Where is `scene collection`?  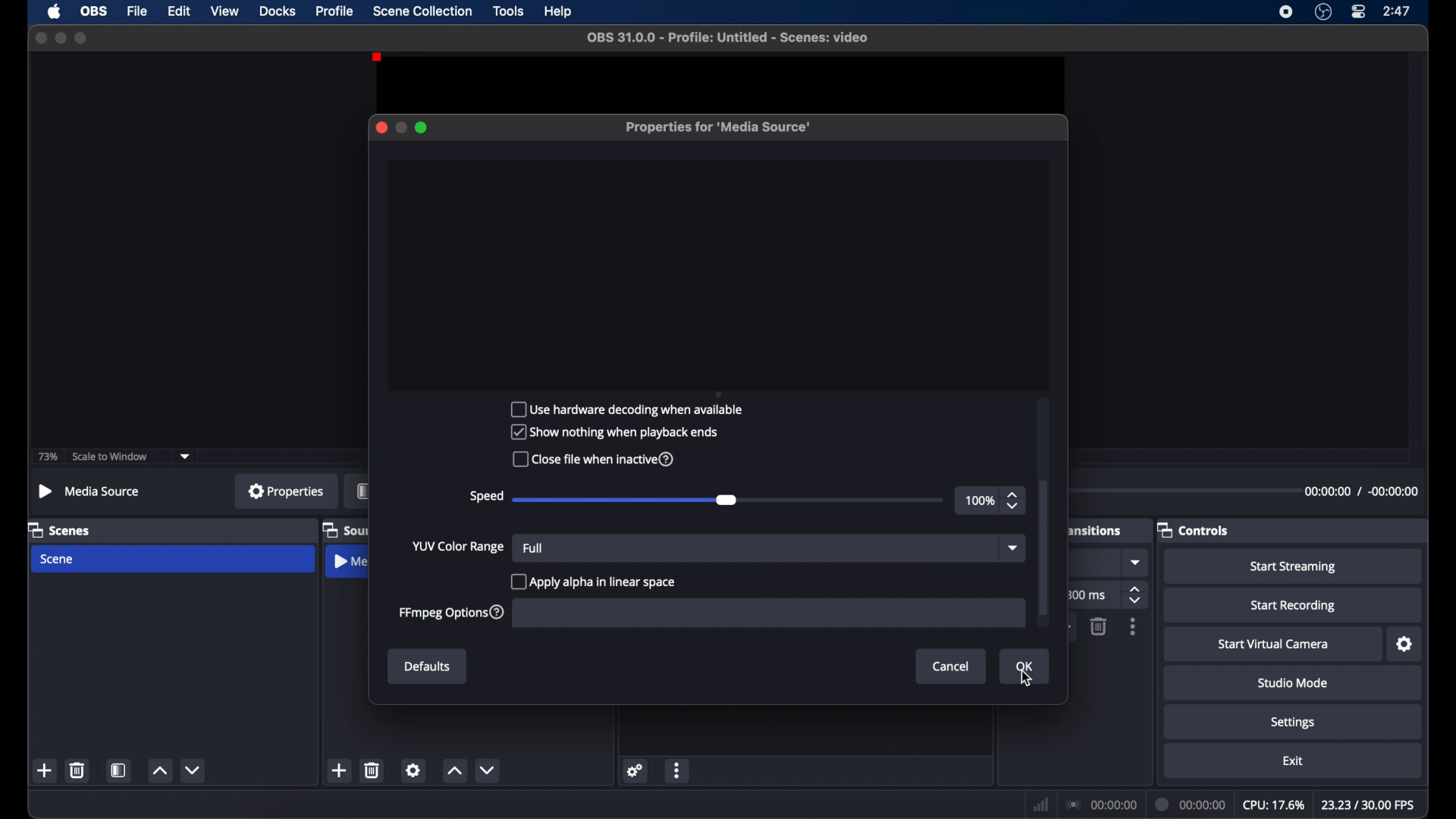 scene collection is located at coordinates (424, 11).